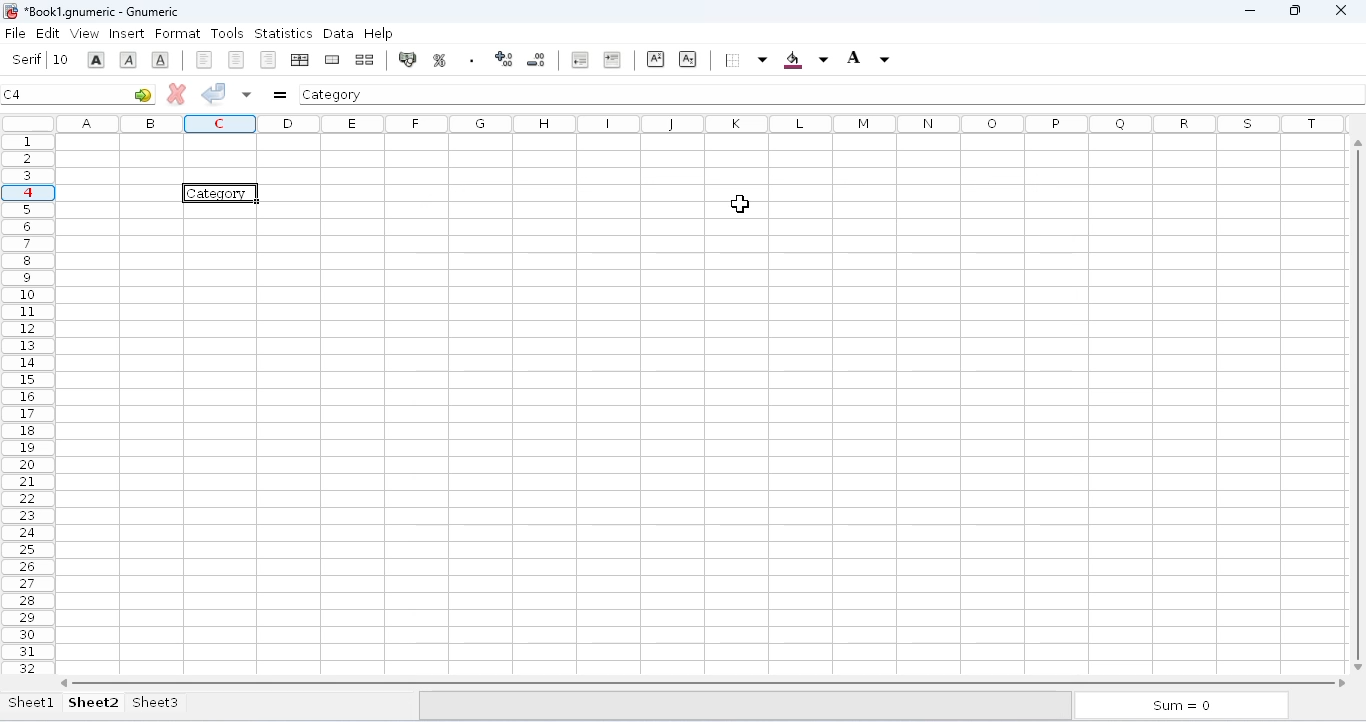  I want to click on split merged range of cells, so click(409, 59).